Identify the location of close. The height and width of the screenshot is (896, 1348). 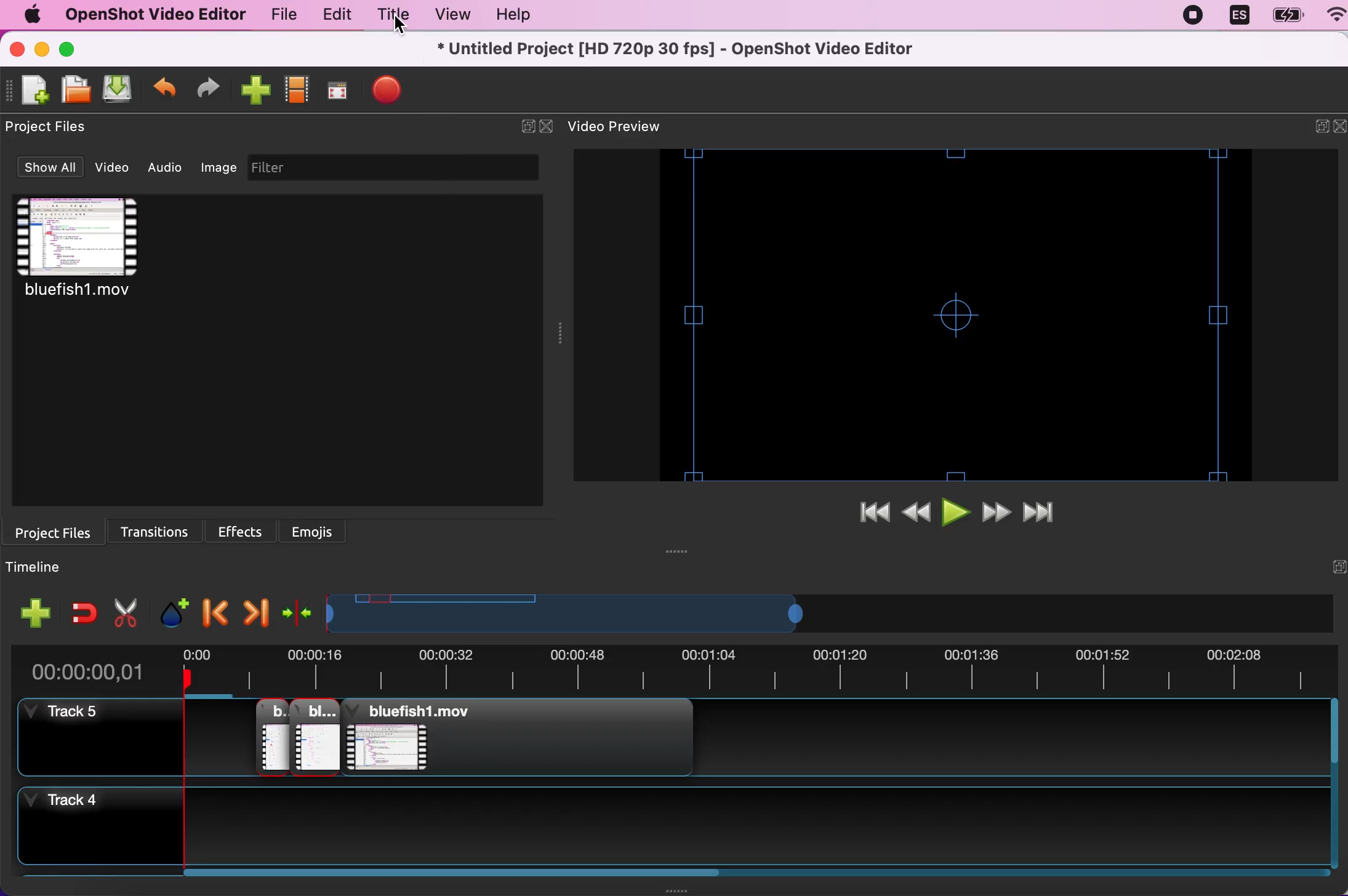
(1339, 127).